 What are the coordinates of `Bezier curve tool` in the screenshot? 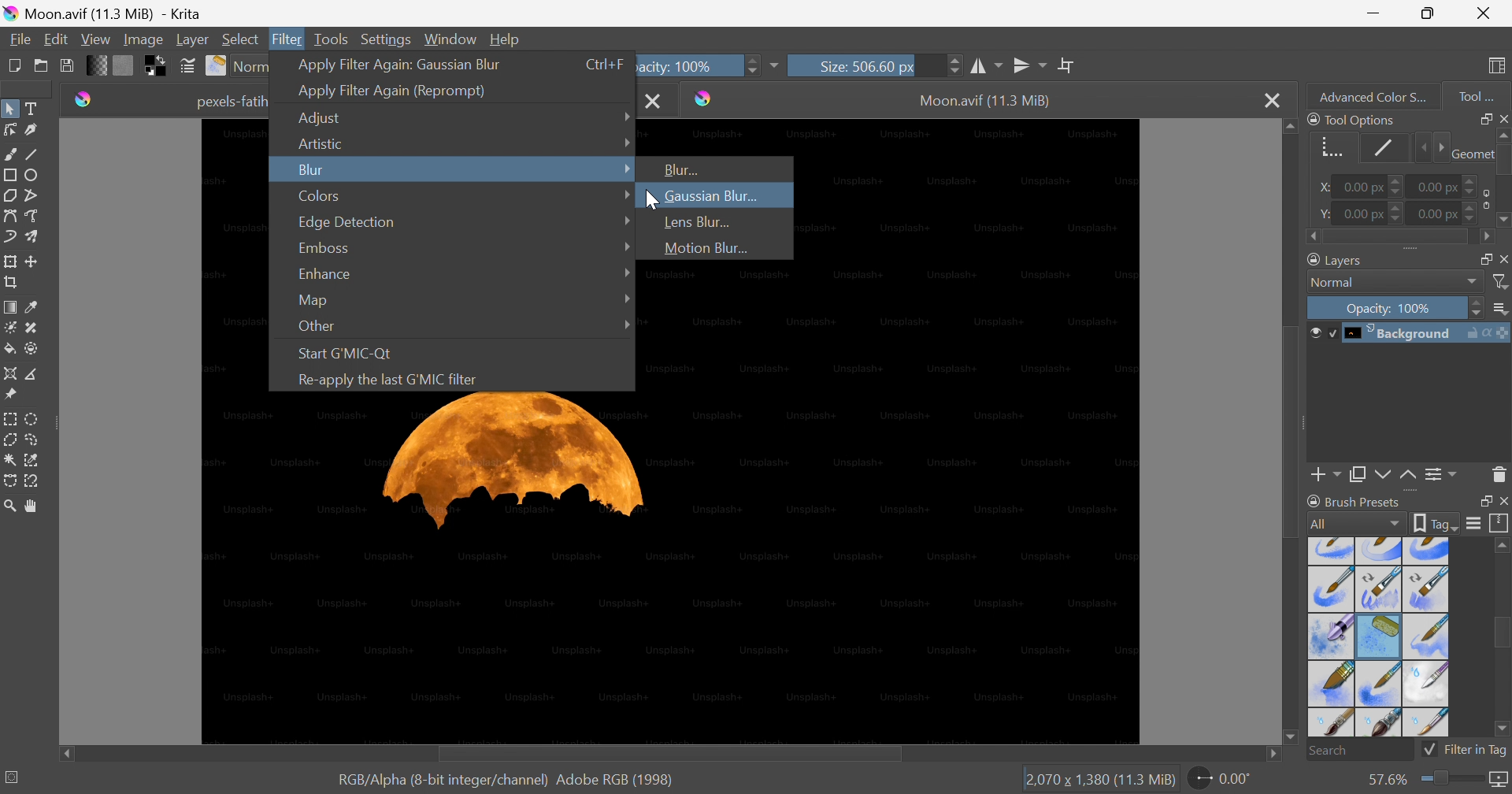 It's located at (9, 216).